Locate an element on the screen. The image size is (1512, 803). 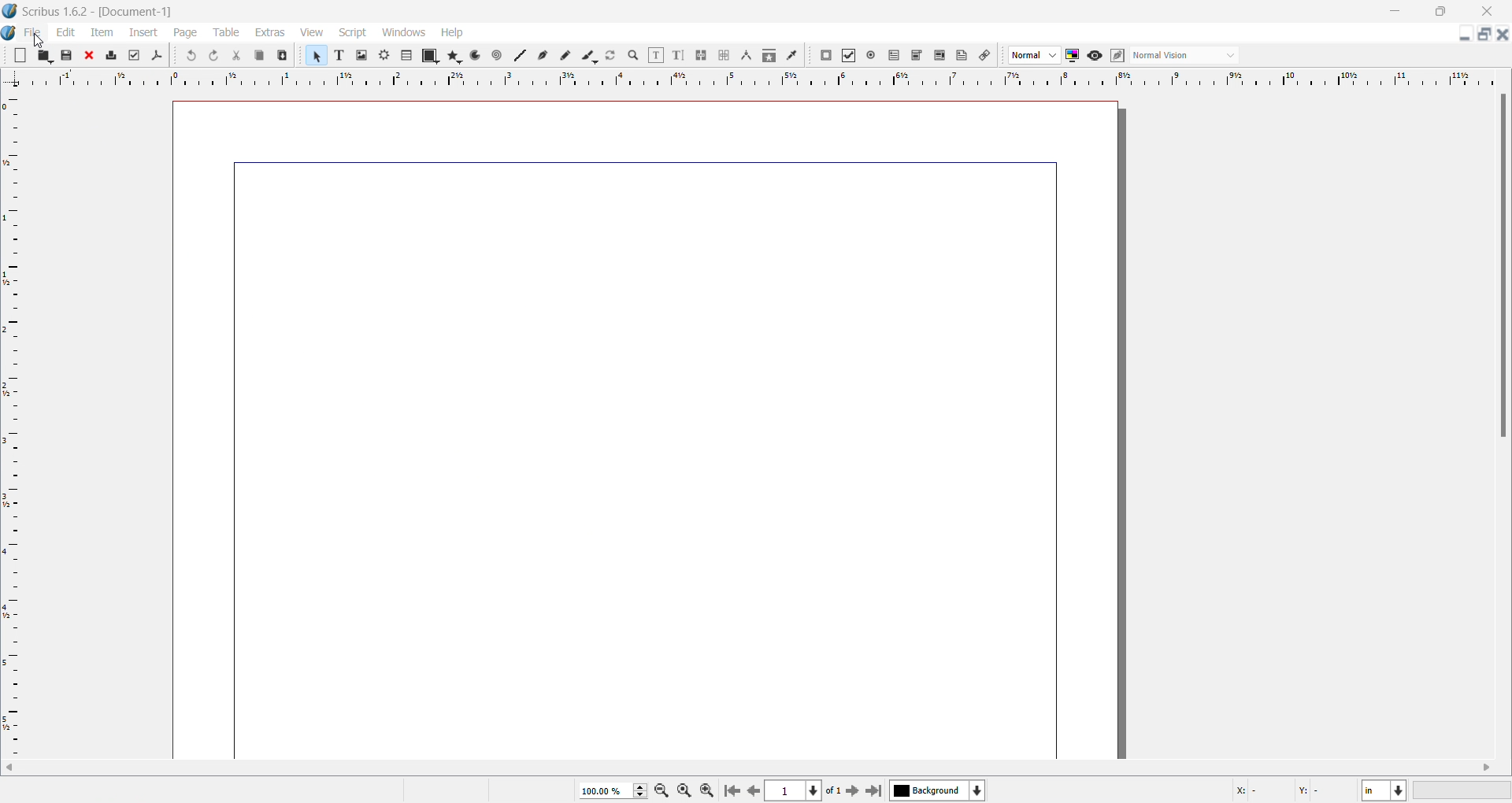
decrease zoom is located at coordinates (662, 790).